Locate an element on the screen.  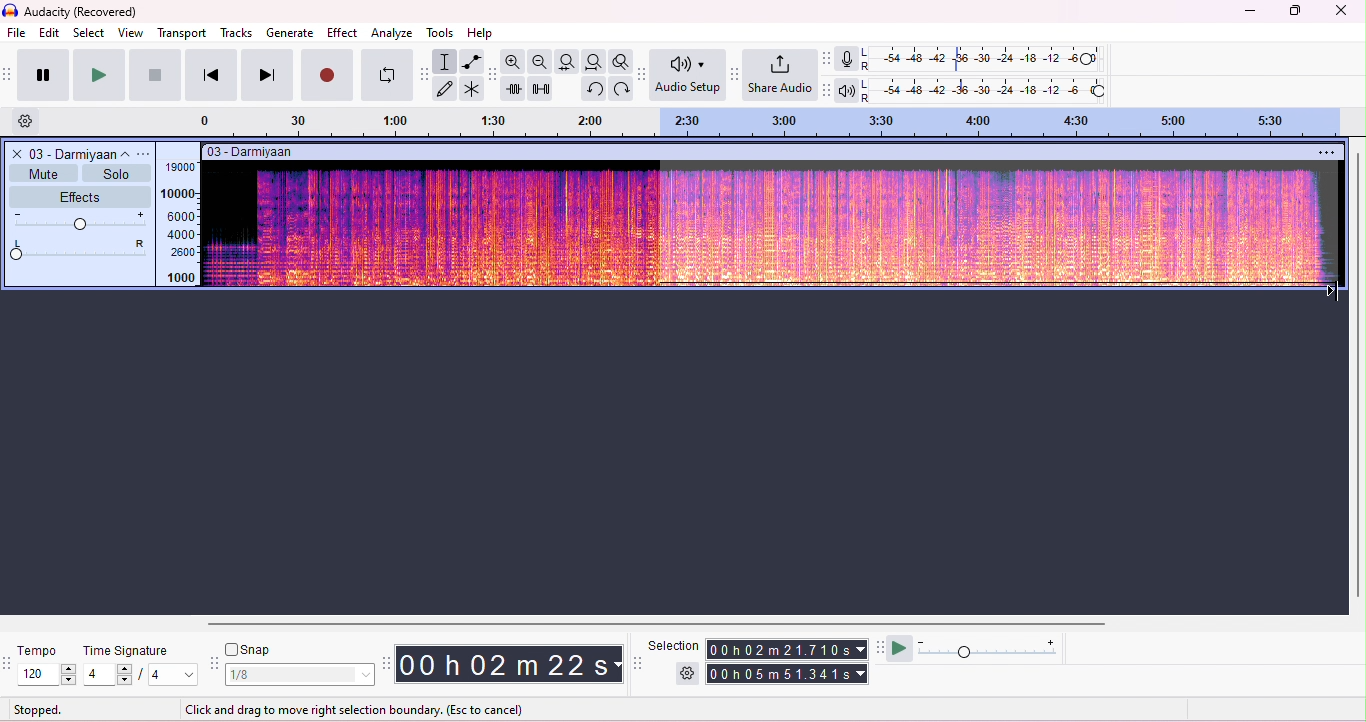
share audio tool bar is located at coordinates (736, 74).